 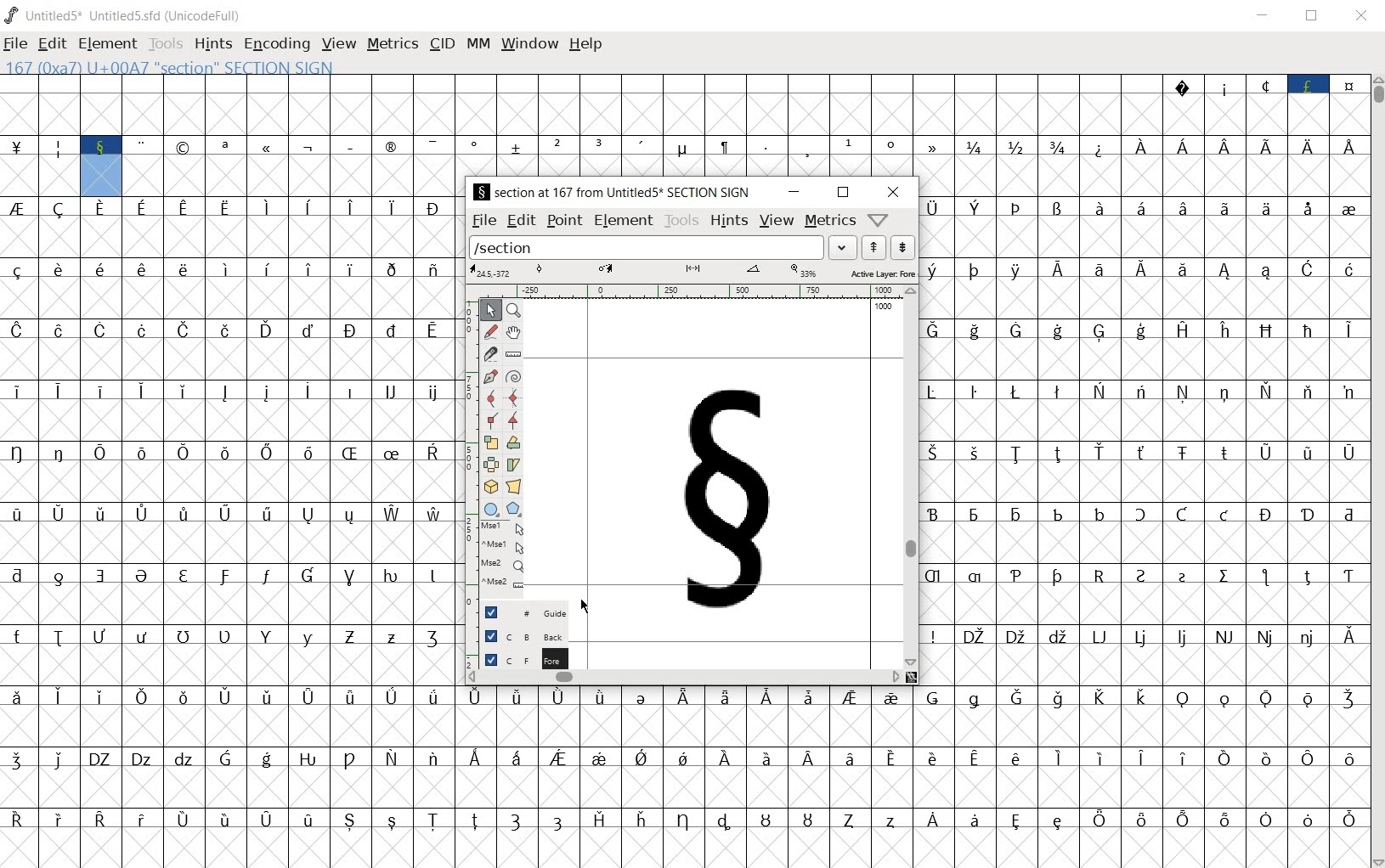 What do you see at coordinates (520, 221) in the screenshot?
I see `edit` at bounding box center [520, 221].